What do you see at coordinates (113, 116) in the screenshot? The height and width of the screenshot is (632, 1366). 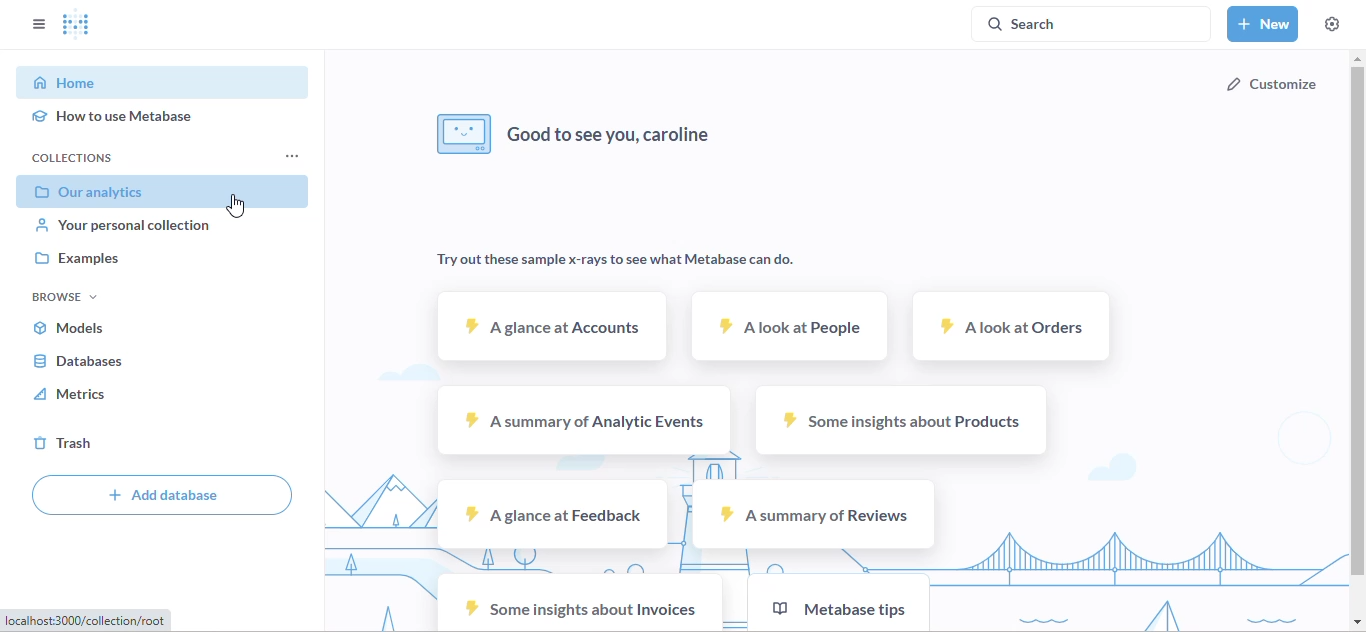 I see `how to use metabase` at bounding box center [113, 116].